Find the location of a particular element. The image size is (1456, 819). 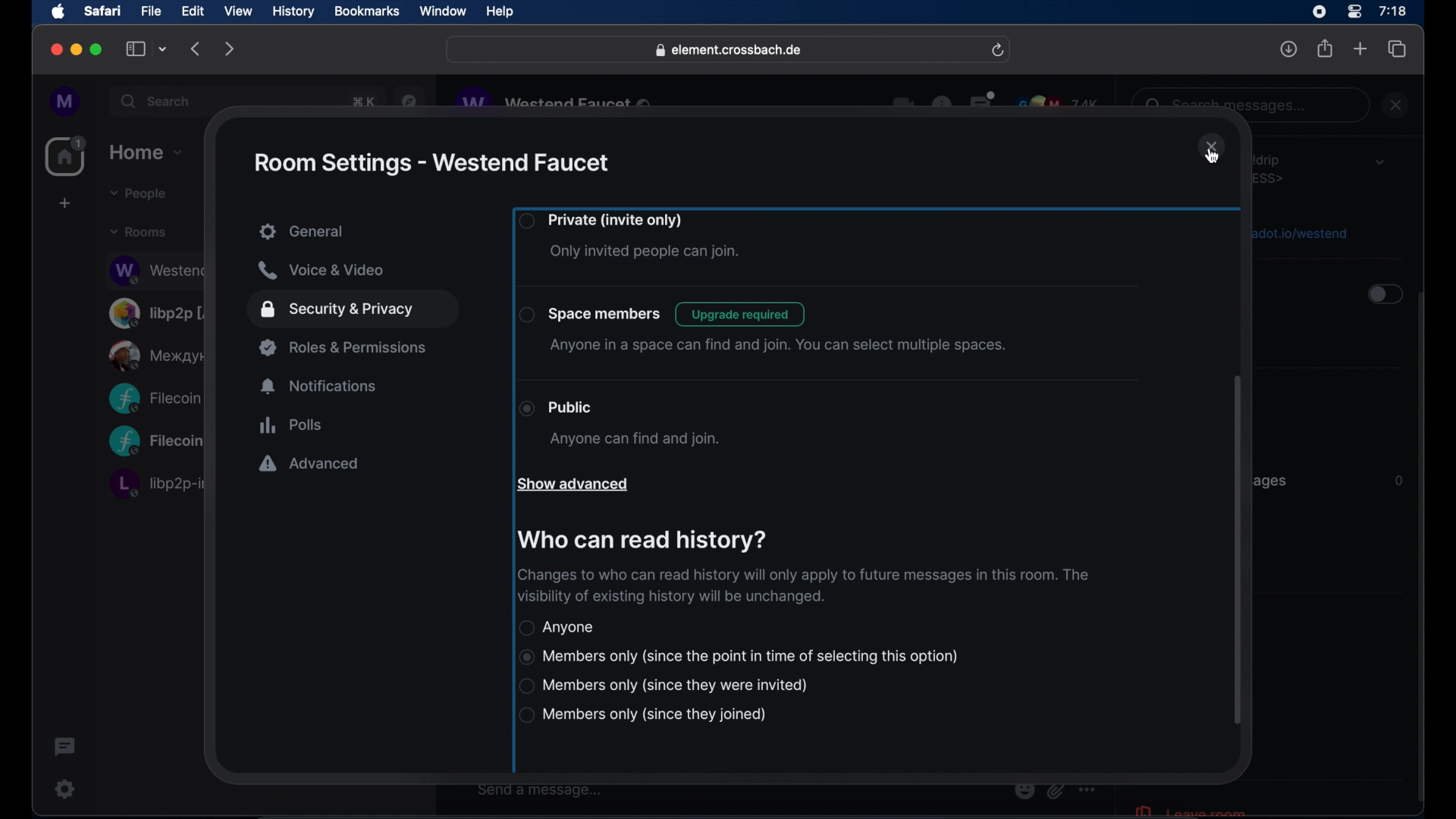

security and privacy highlighted is located at coordinates (353, 310).